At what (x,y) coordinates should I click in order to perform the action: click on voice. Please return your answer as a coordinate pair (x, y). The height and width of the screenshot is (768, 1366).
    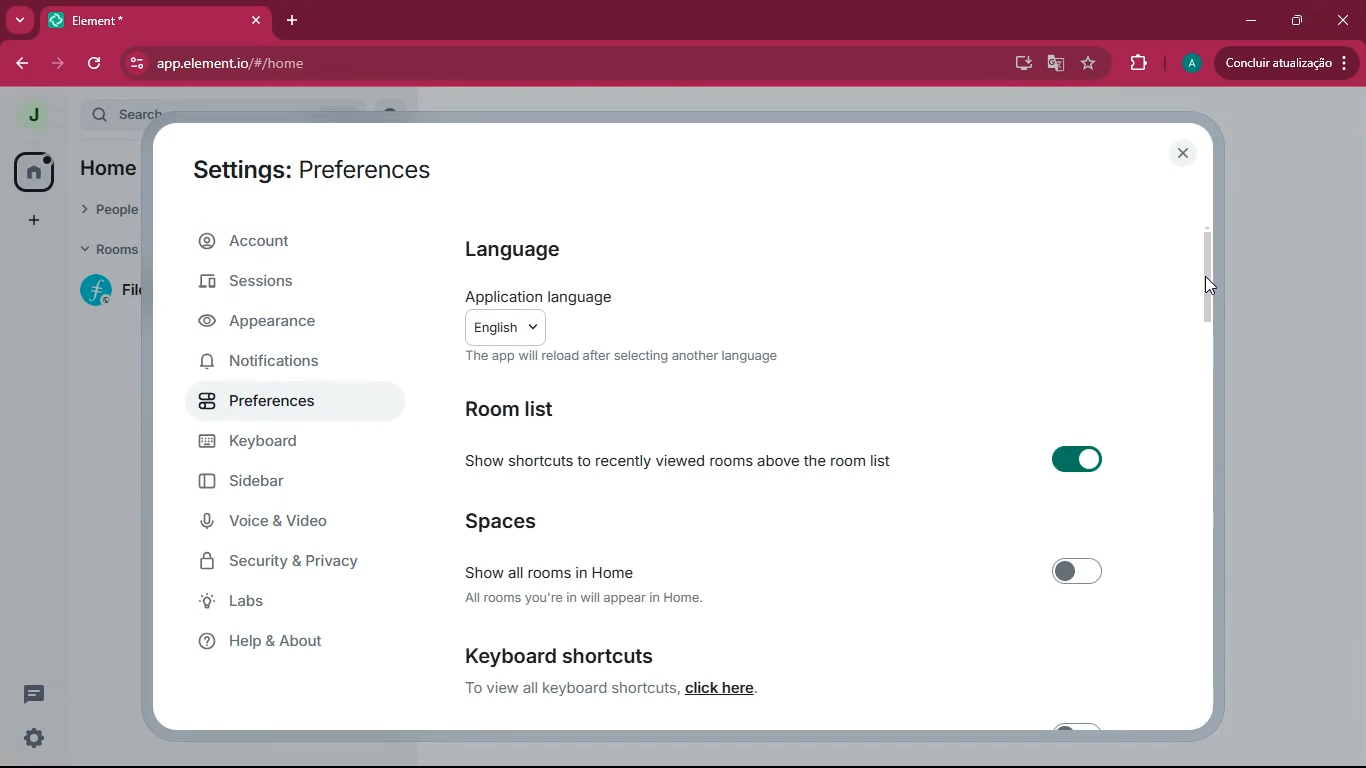
    Looking at the image, I should click on (276, 523).